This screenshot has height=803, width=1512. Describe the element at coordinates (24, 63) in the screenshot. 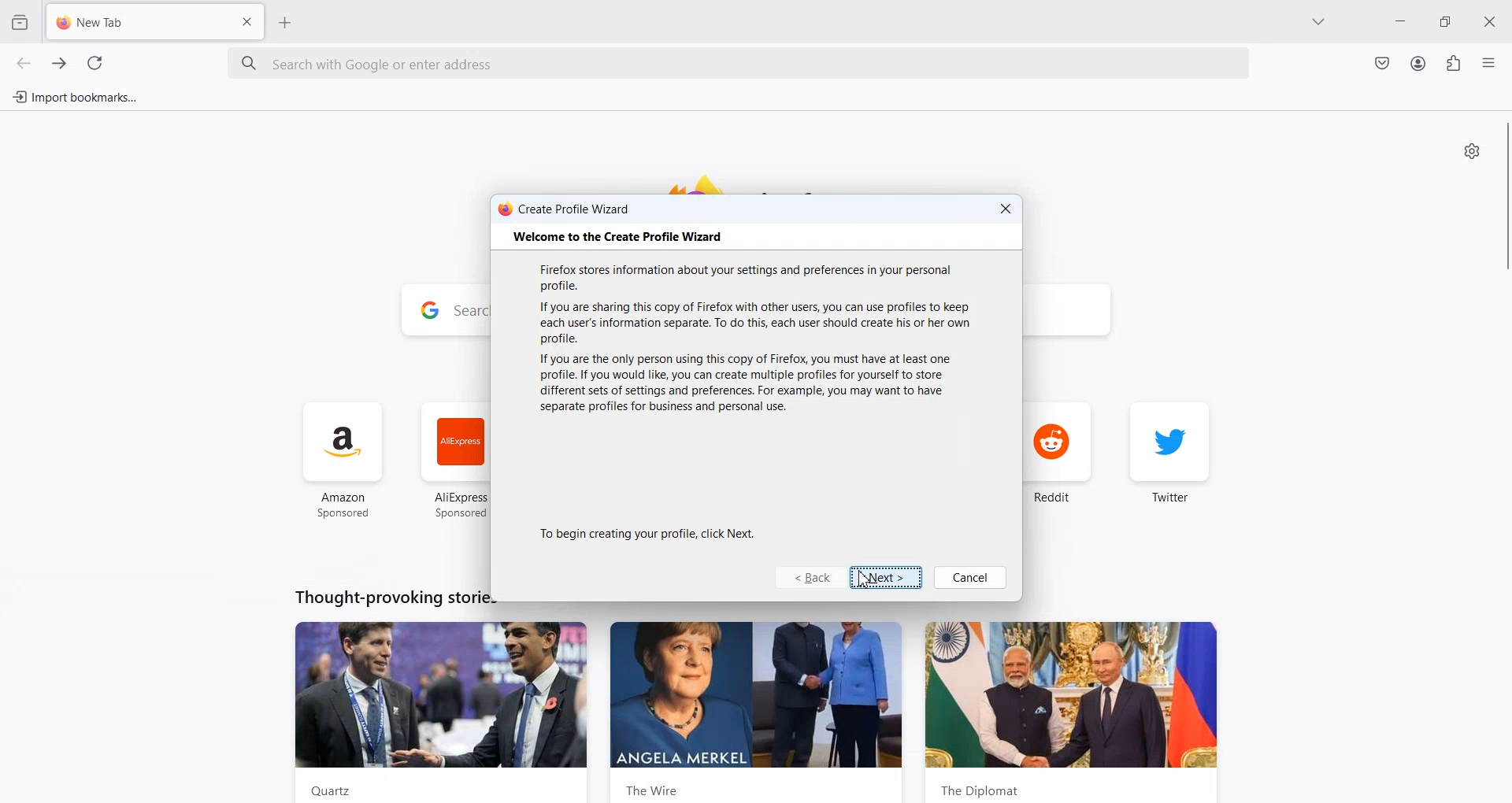

I see `Go back one page` at that location.